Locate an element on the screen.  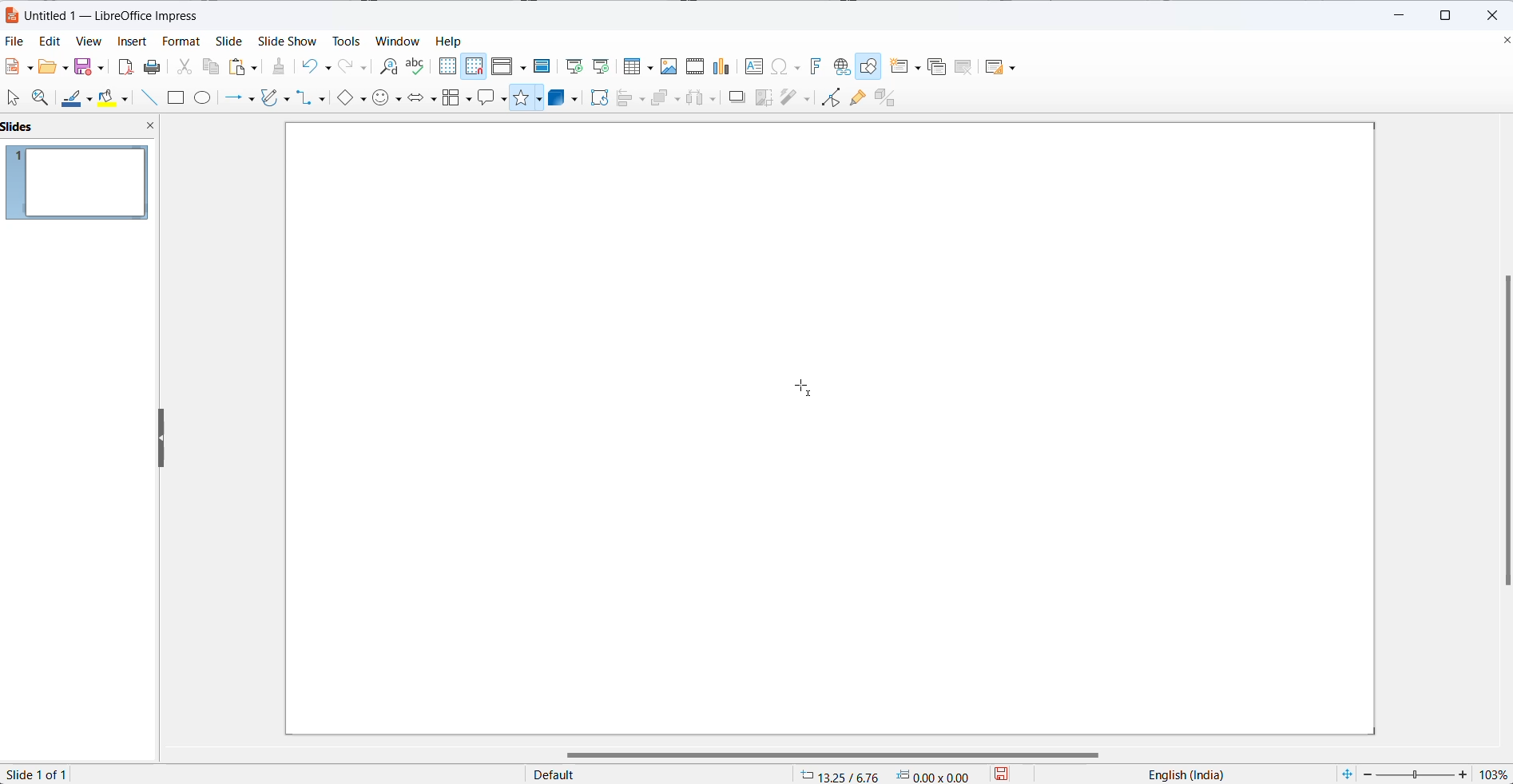
rectangle is located at coordinates (178, 99).